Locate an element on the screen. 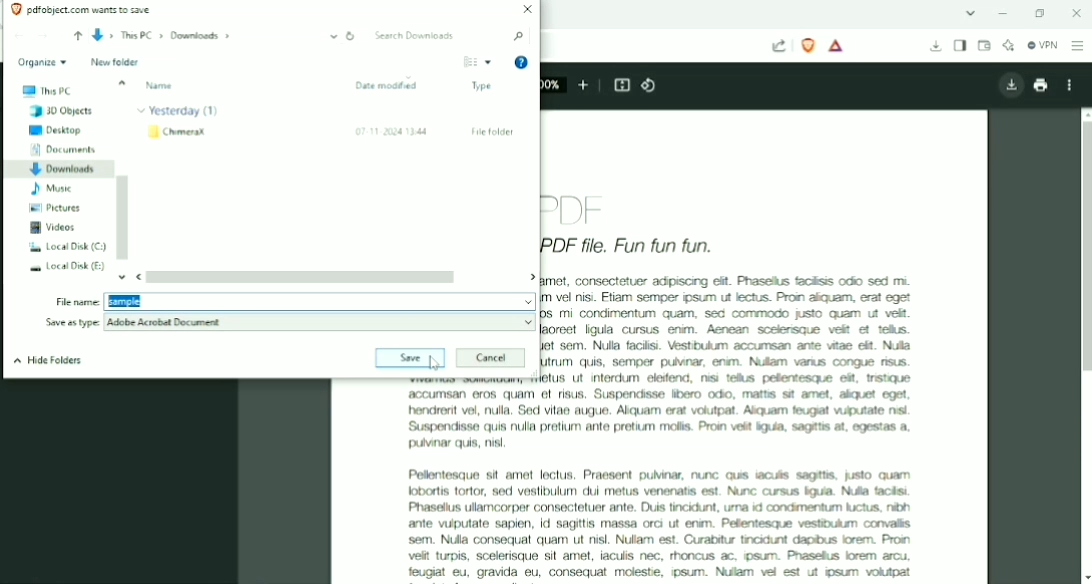 The height and width of the screenshot is (584, 1092). pdfobject.com wants to save is located at coordinates (93, 10).